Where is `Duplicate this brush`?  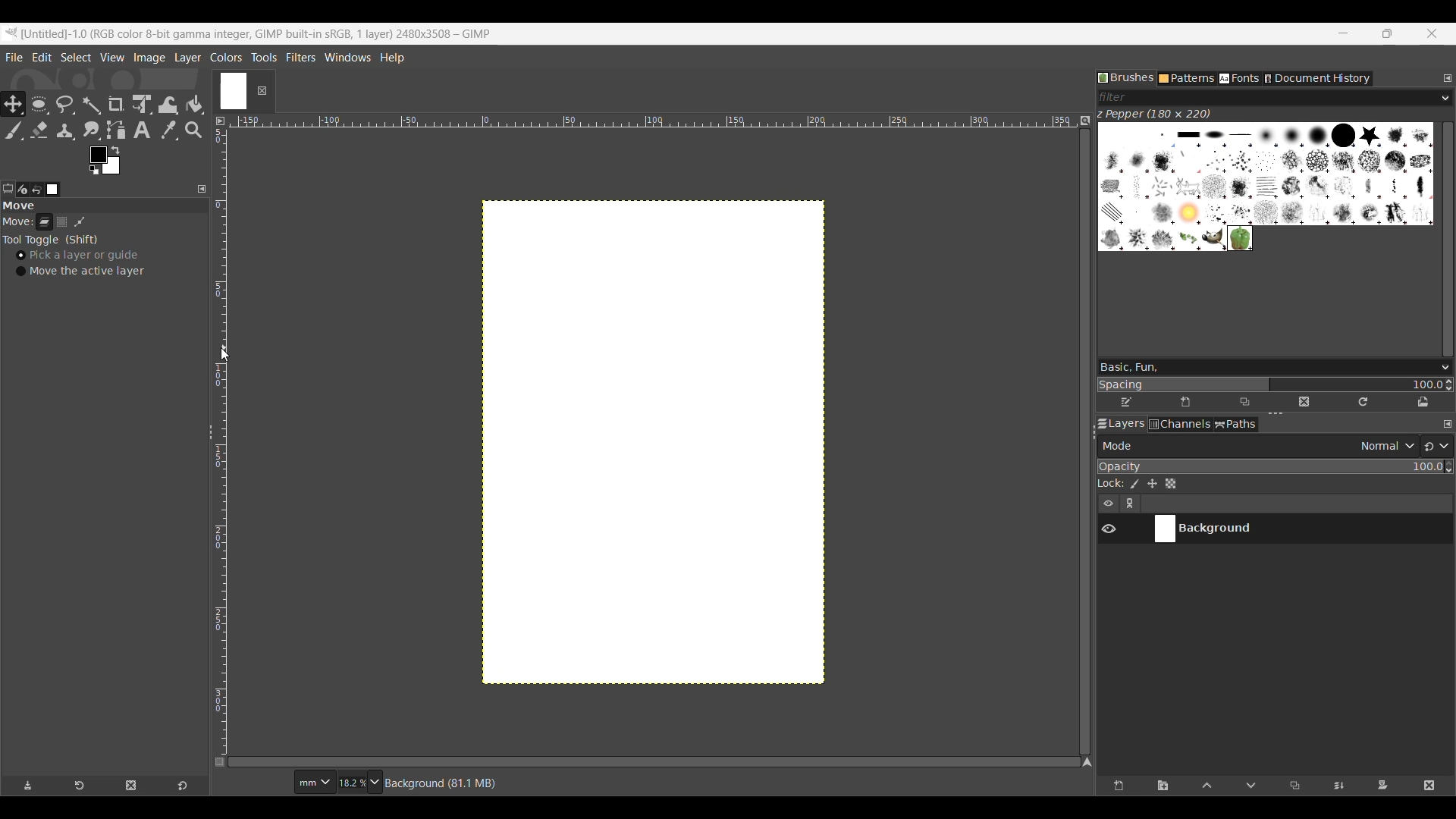 Duplicate this brush is located at coordinates (1244, 403).